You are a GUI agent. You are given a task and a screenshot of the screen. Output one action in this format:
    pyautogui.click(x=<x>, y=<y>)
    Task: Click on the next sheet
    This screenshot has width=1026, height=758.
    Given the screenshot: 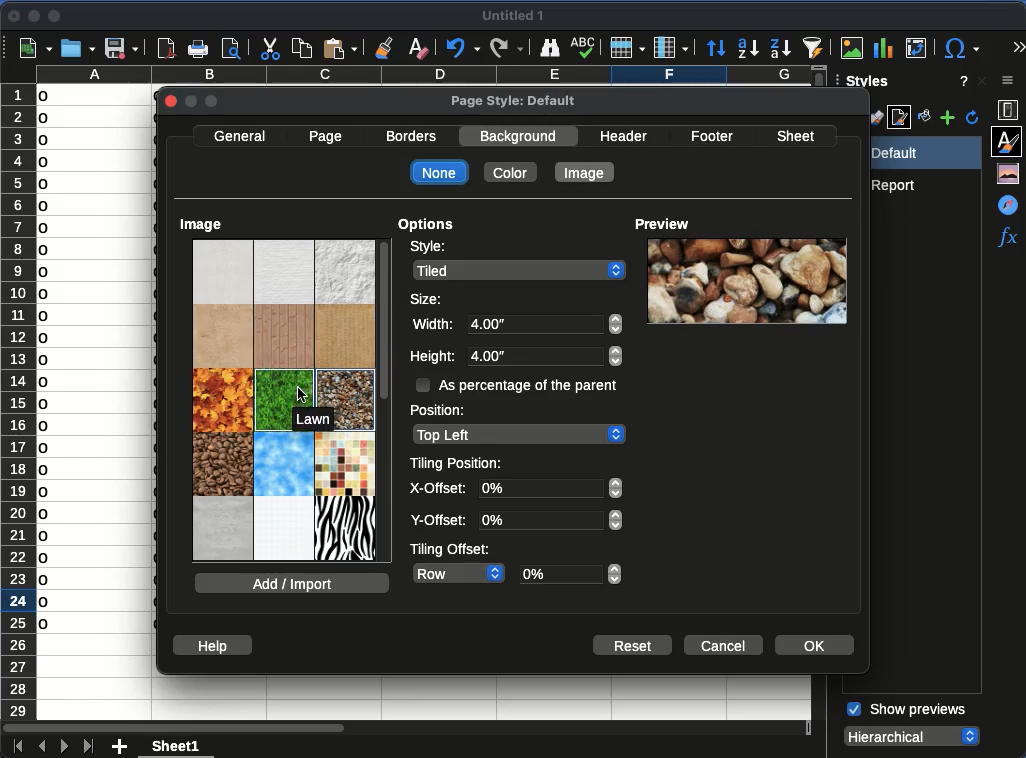 What is the action you would take?
    pyautogui.click(x=62, y=747)
    